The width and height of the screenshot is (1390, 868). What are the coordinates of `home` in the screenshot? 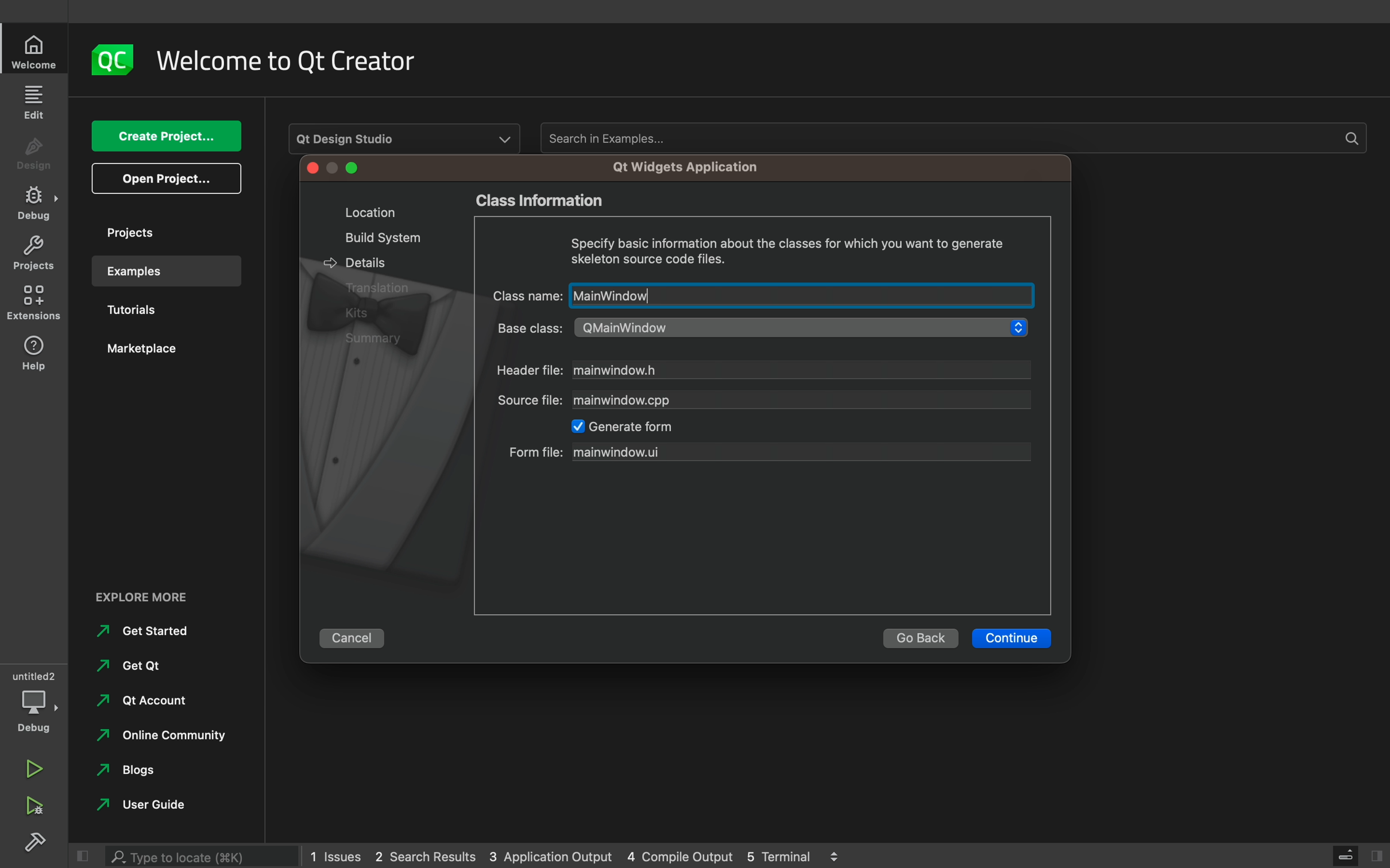 It's located at (36, 52).